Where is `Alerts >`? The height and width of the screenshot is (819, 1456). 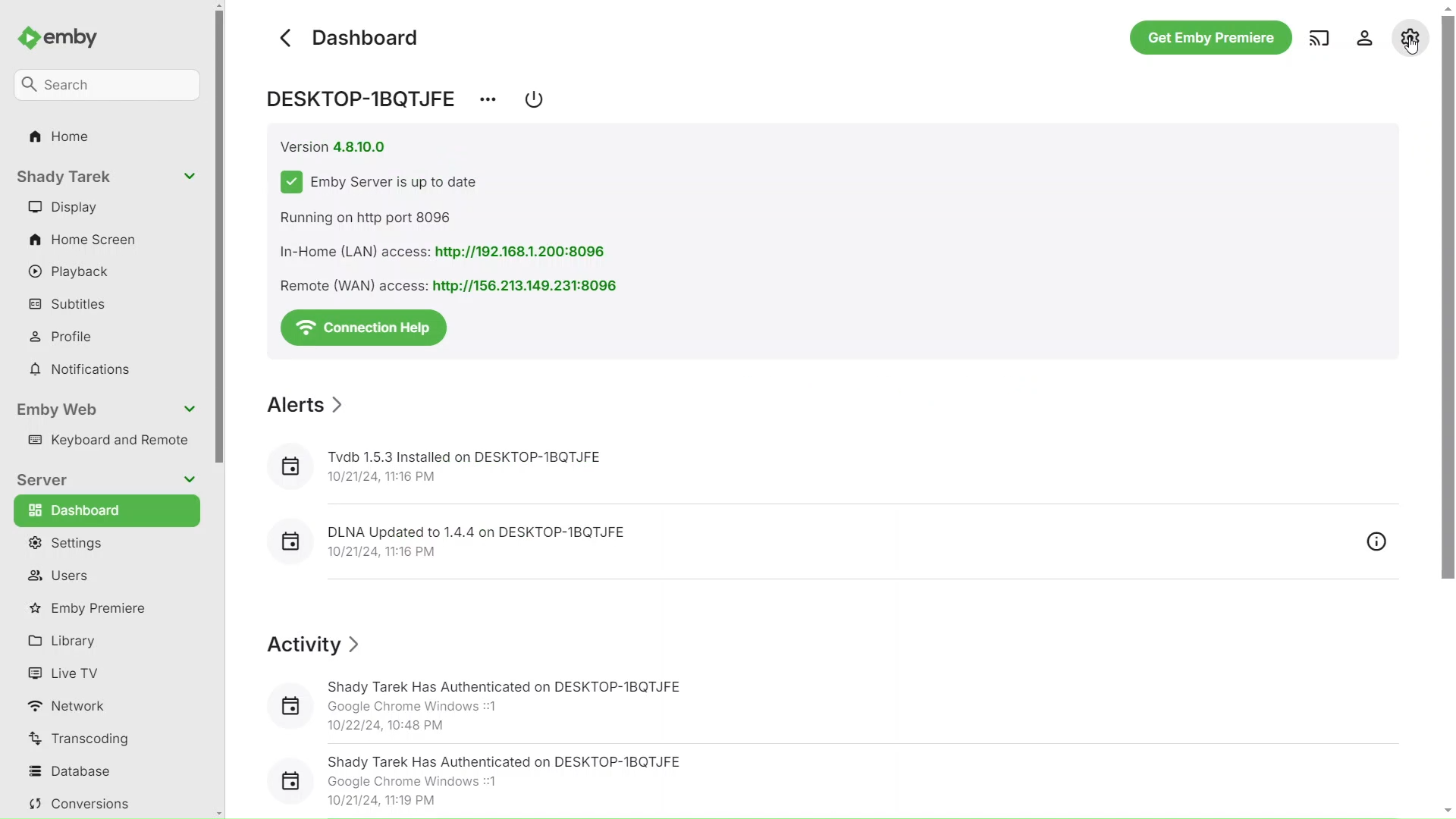 Alerts > is located at coordinates (306, 400).